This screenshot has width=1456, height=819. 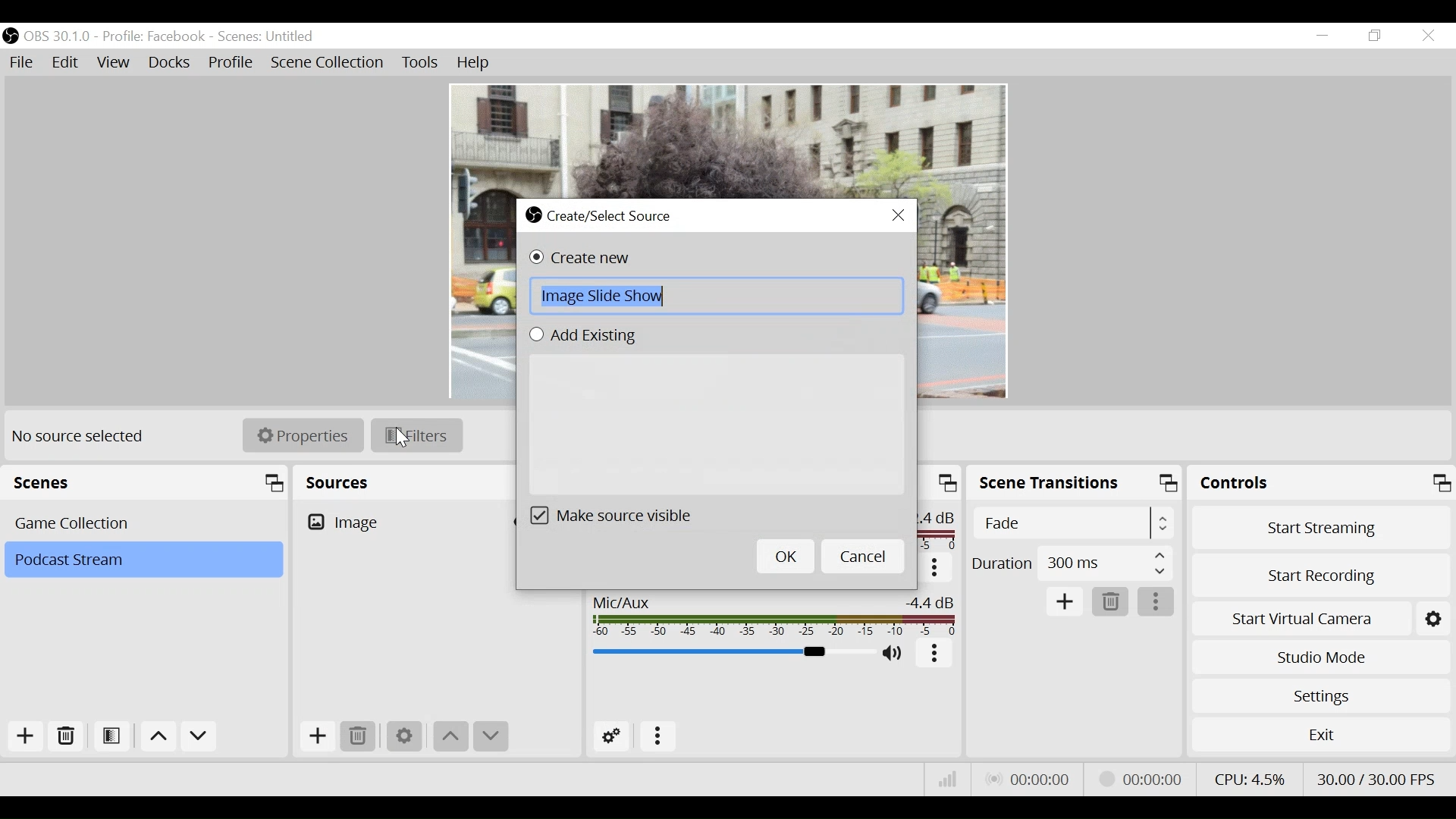 I want to click on minimize, so click(x=1326, y=36).